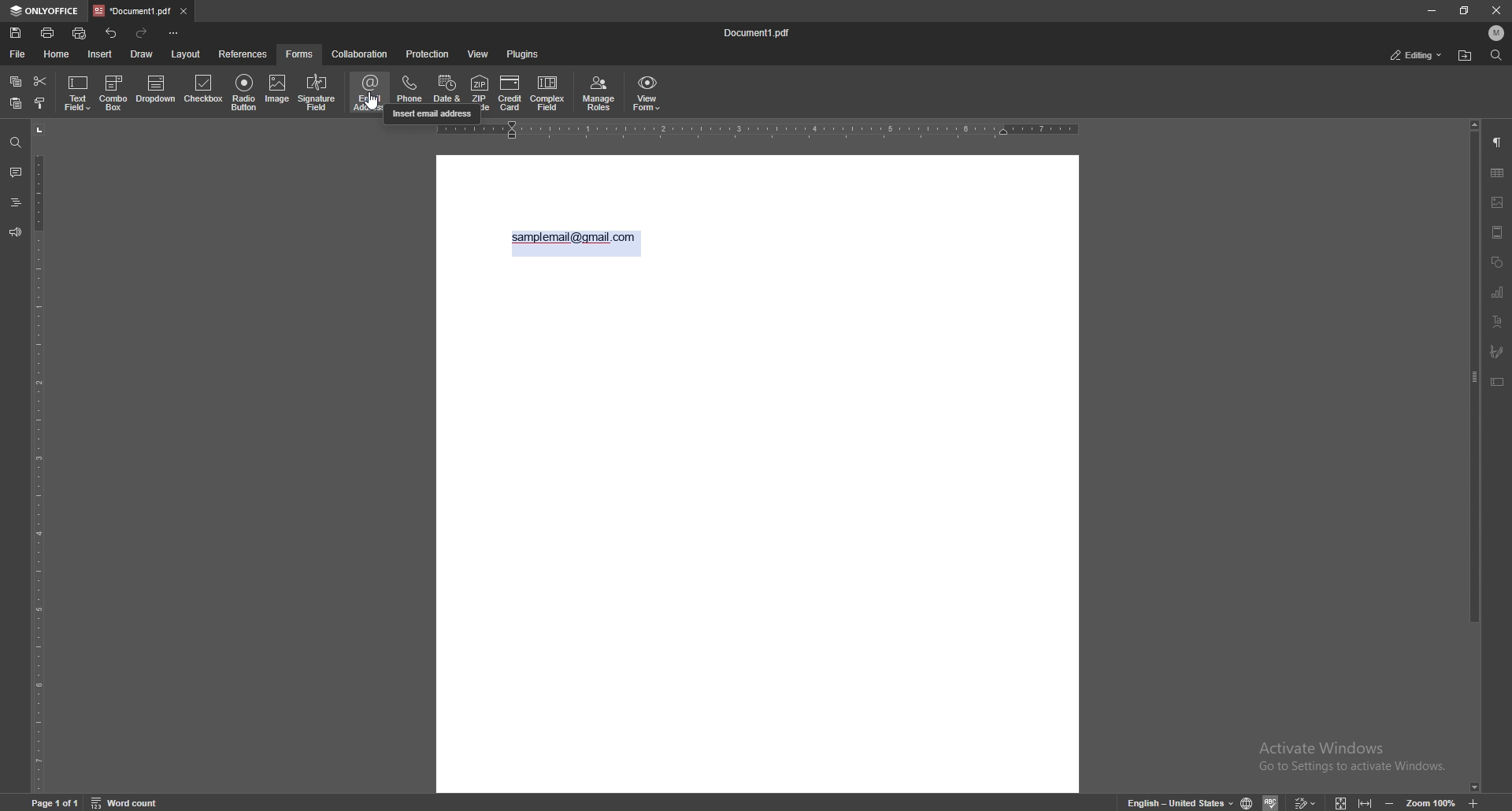 This screenshot has height=811, width=1512. I want to click on change text language, so click(1177, 802).